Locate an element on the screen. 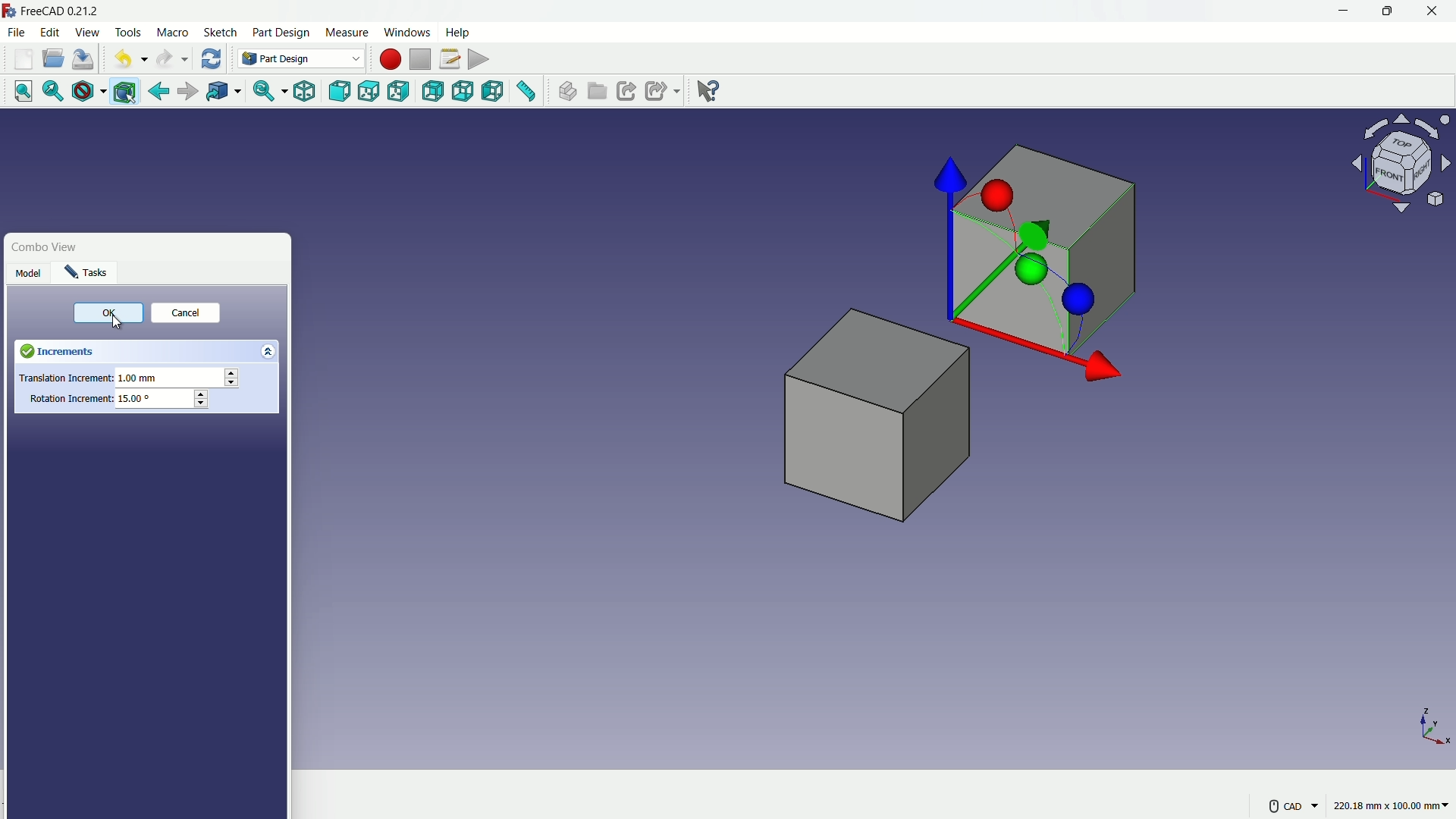  15.00 is located at coordinates (135, 398).